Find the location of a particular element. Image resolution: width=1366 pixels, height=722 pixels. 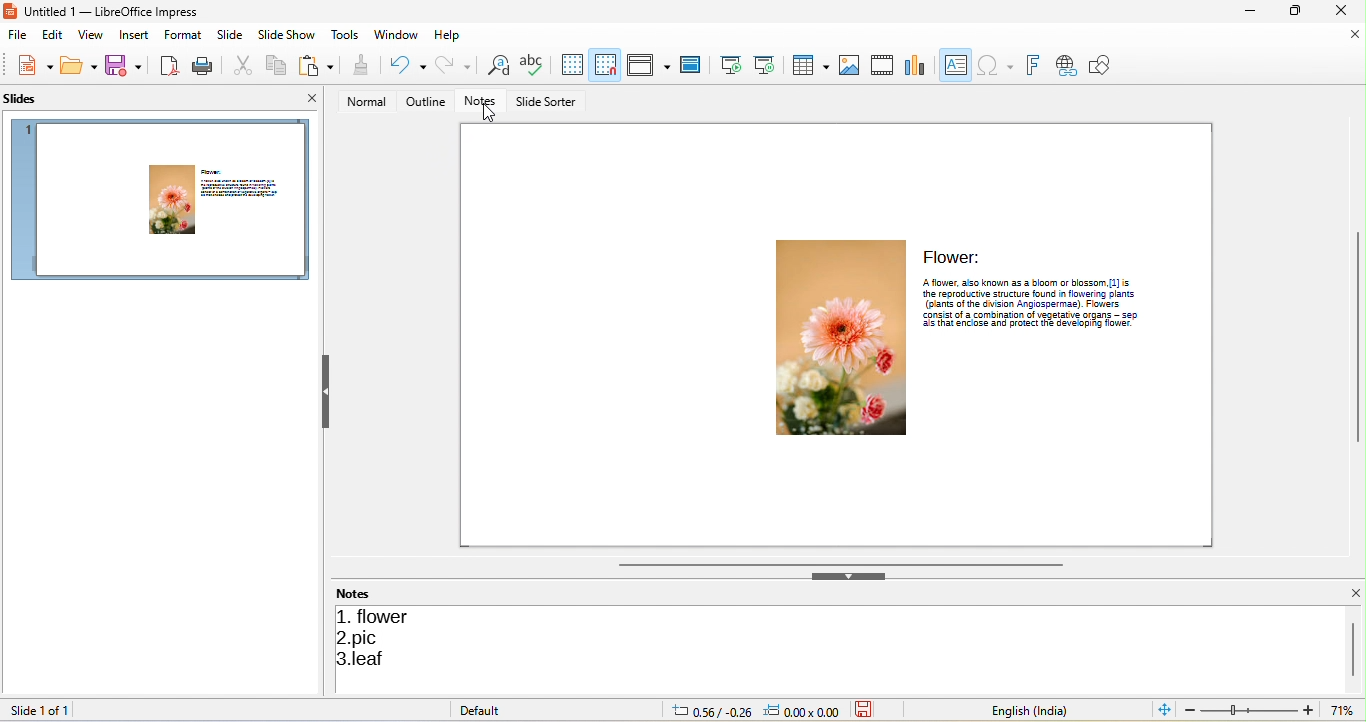

paste is located at coordinates (319, 65).